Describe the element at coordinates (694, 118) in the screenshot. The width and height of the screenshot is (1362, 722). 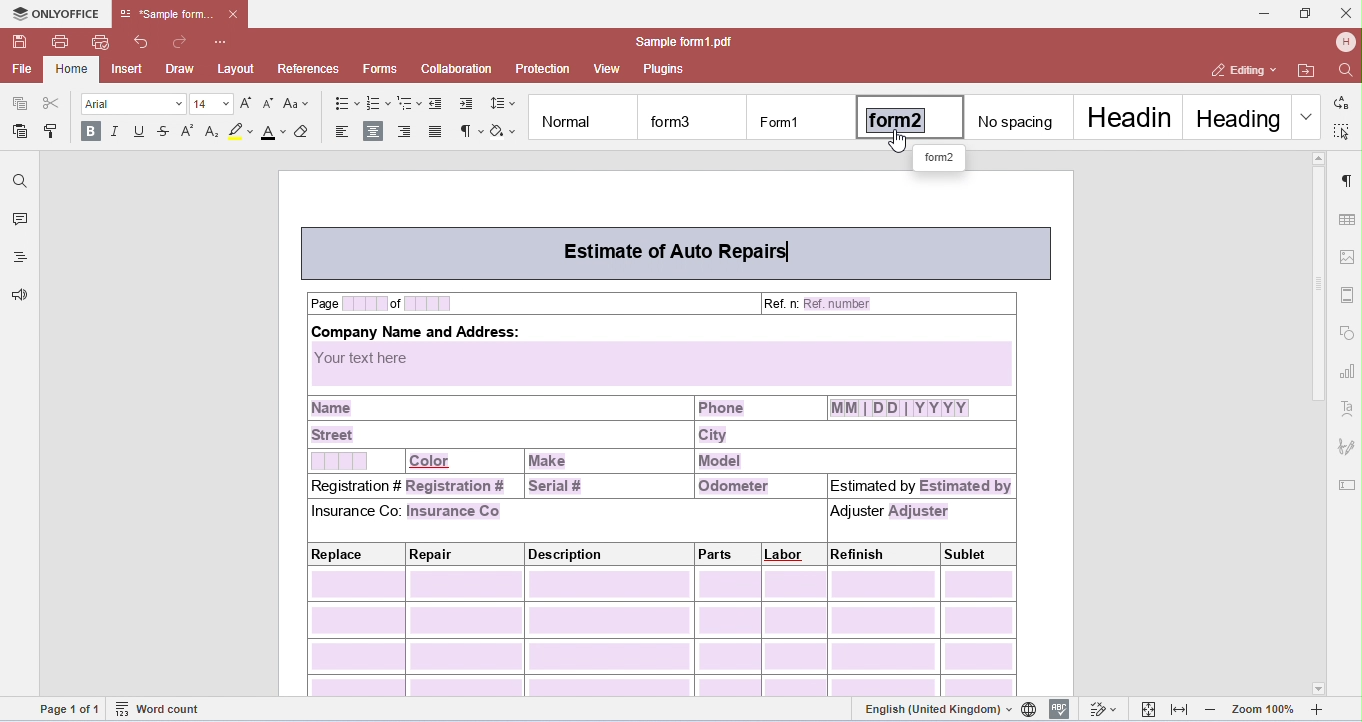
I see `form3` at that location.